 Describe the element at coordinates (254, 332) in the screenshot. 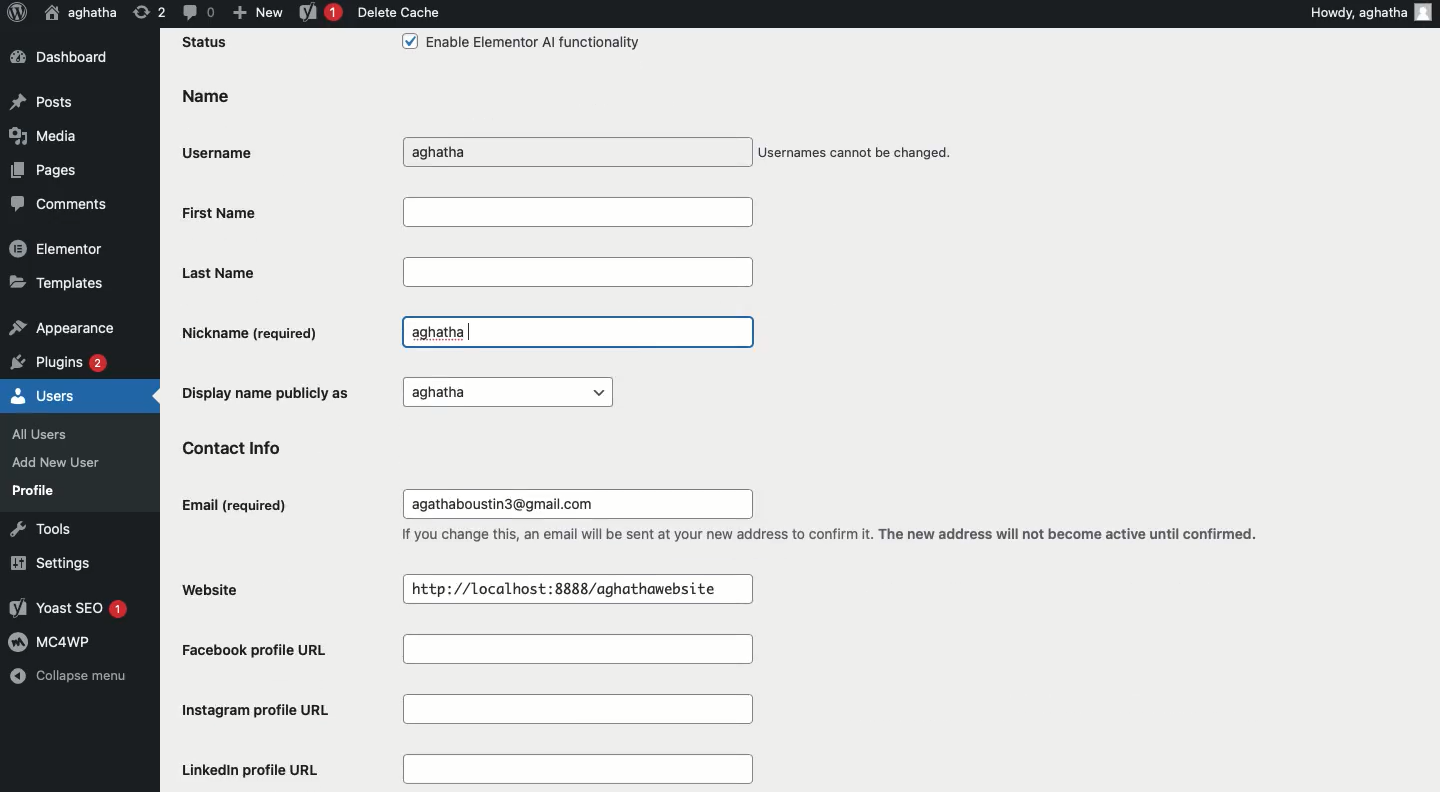

I see `Nickname (required)` at that location.